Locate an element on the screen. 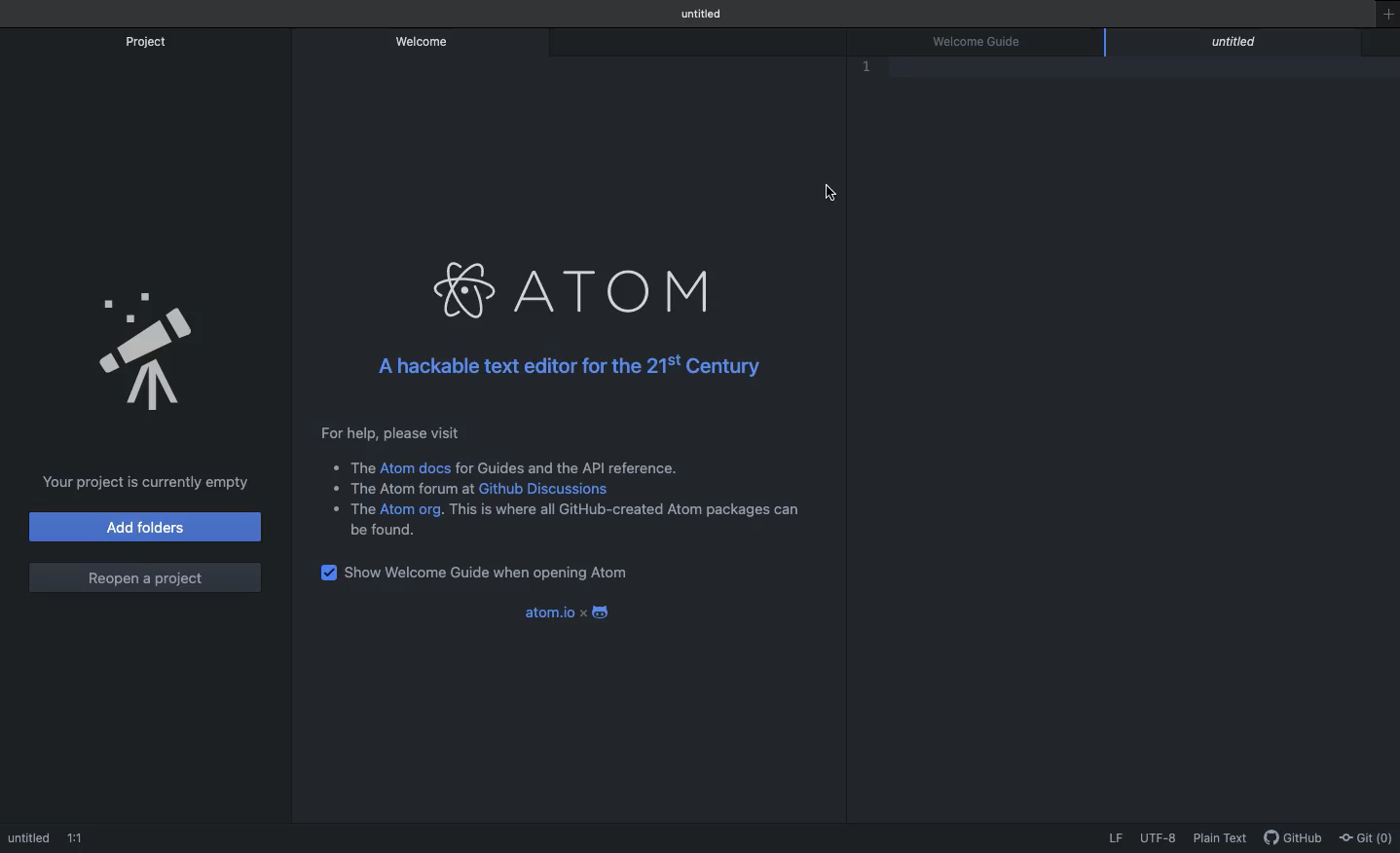 This screenshot has height=853, width=1400. list item is located at coordinates (349, 508).